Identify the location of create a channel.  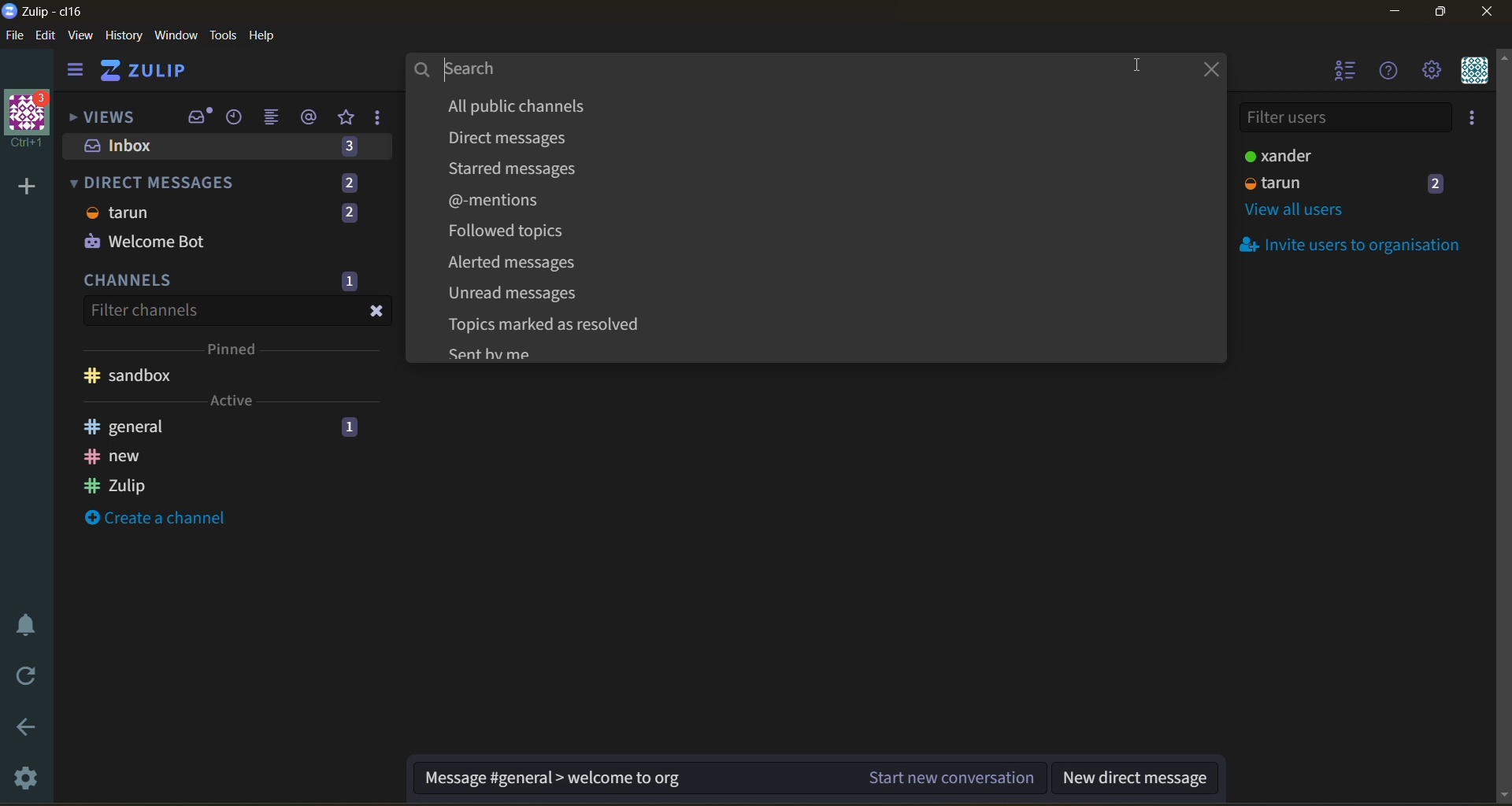
(154, 517).